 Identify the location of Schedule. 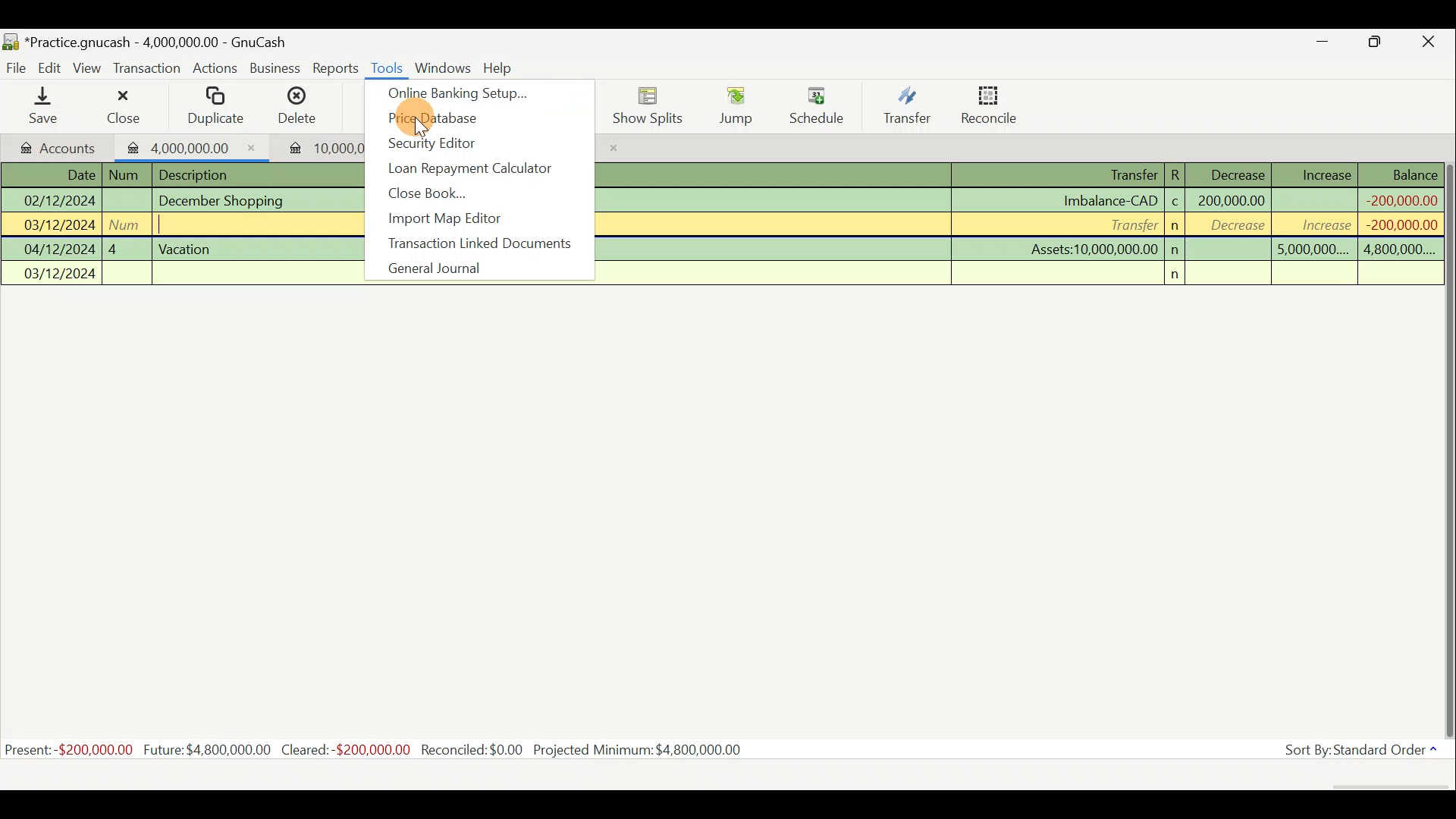
(817, 105).